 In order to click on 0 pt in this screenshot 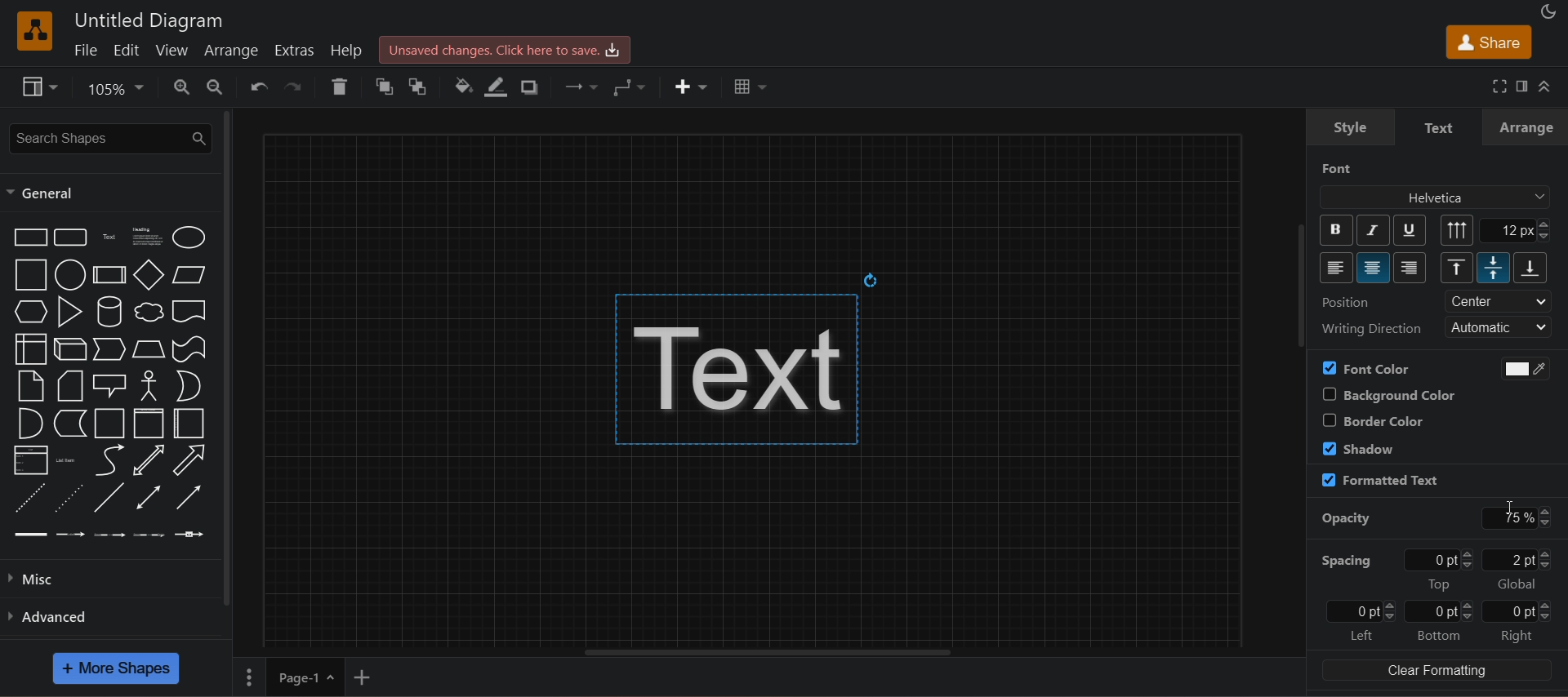, I will do `click(1519, 611)`.